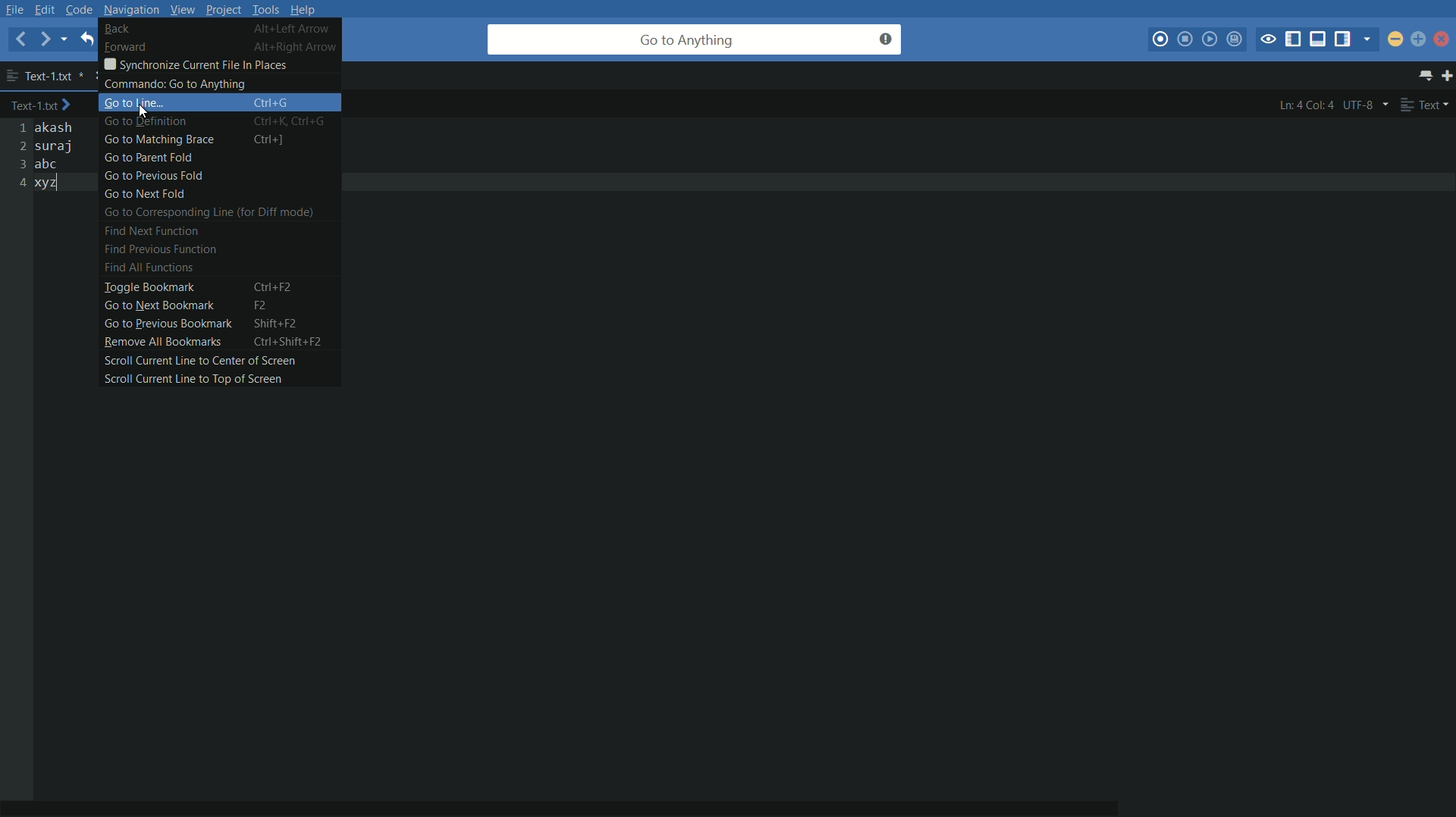 This screenshot has width=1456, height=817. Describe the element at coordinates (139, 113) in the screenshot. I see `cursor` at that location.